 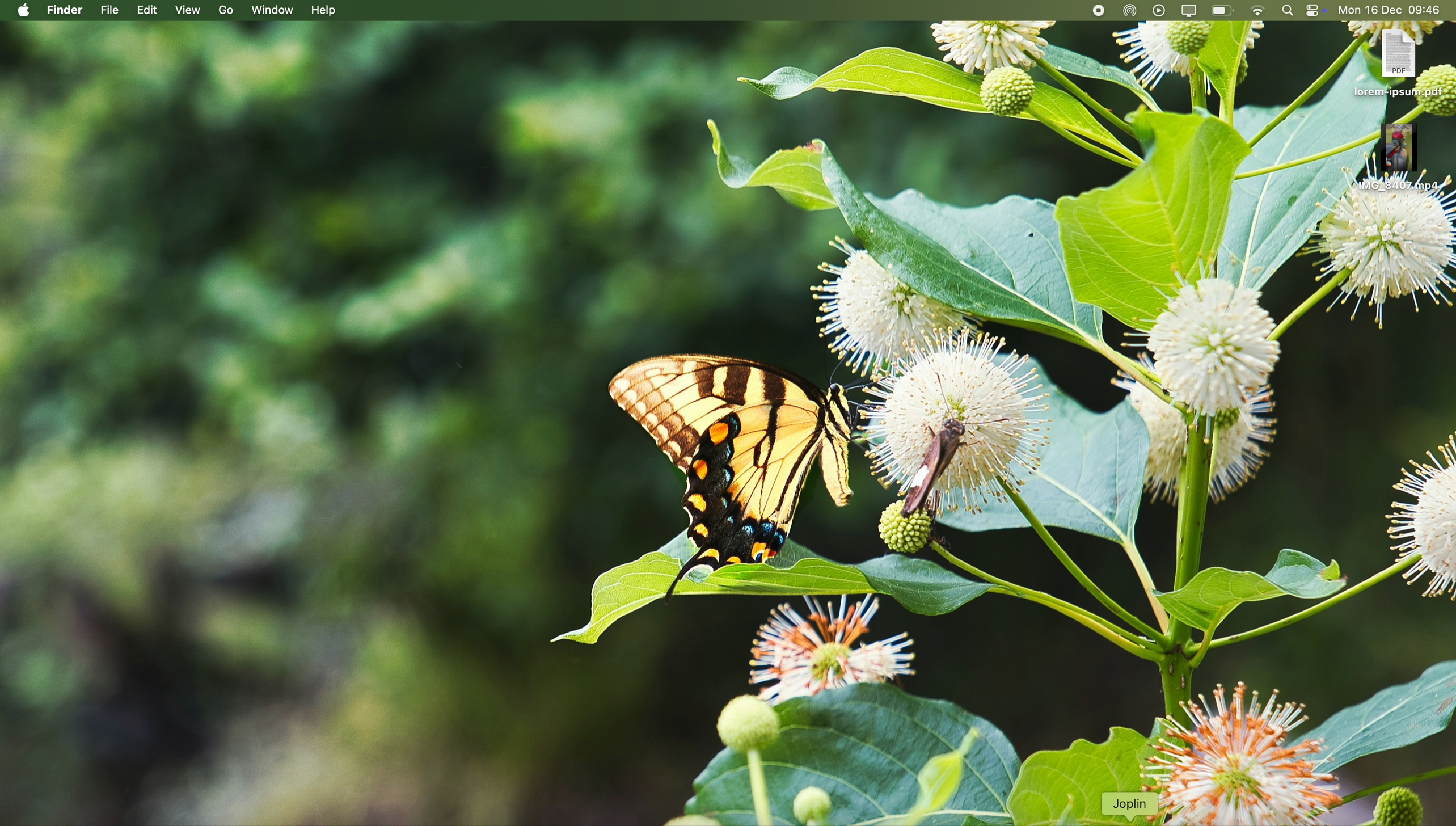 I want to click on battery, so click(x=1223, y=10).